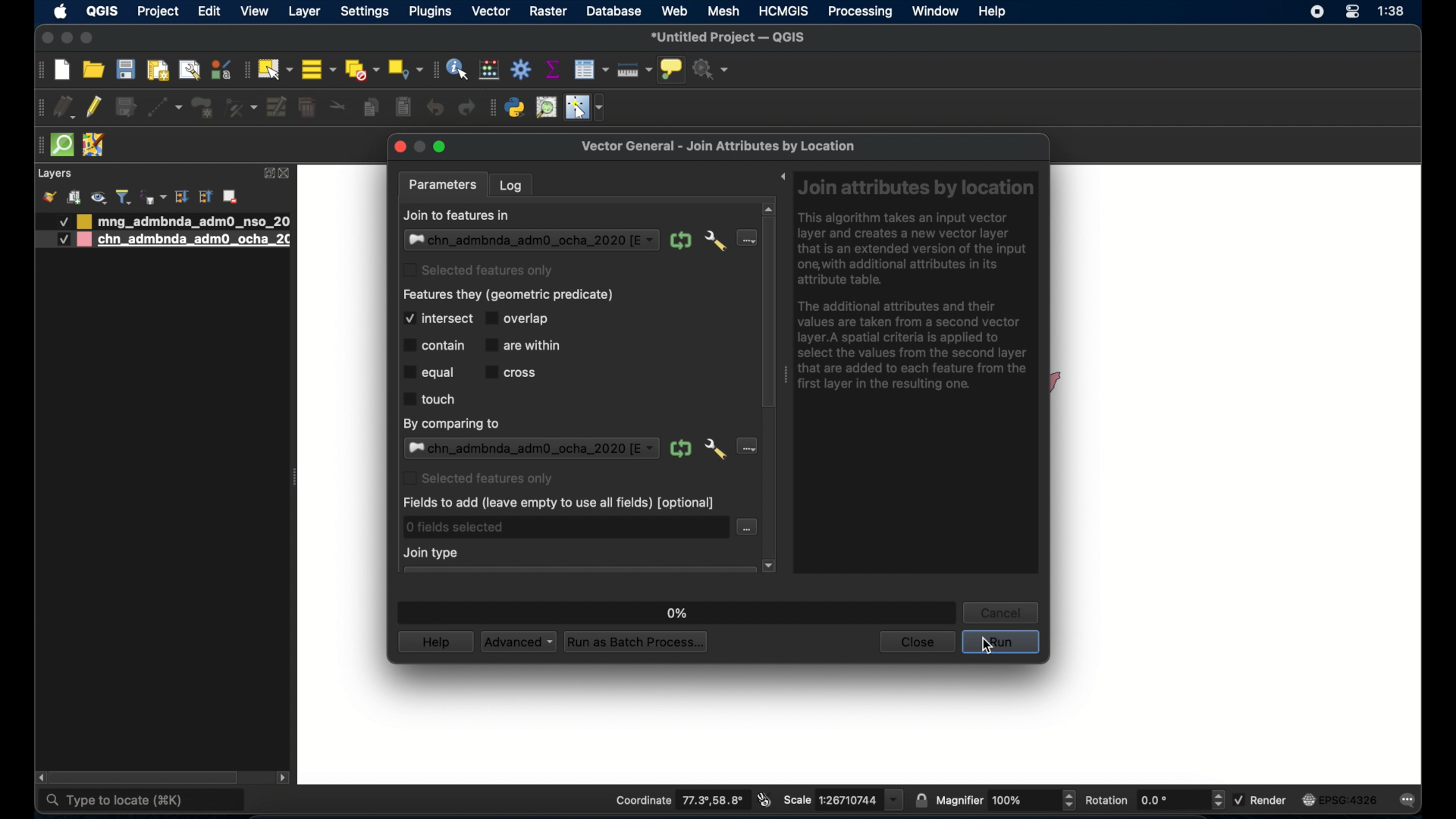 The width and height of the screenshot is (1456, 819). I want to click on rotation, so click(1155, 800).